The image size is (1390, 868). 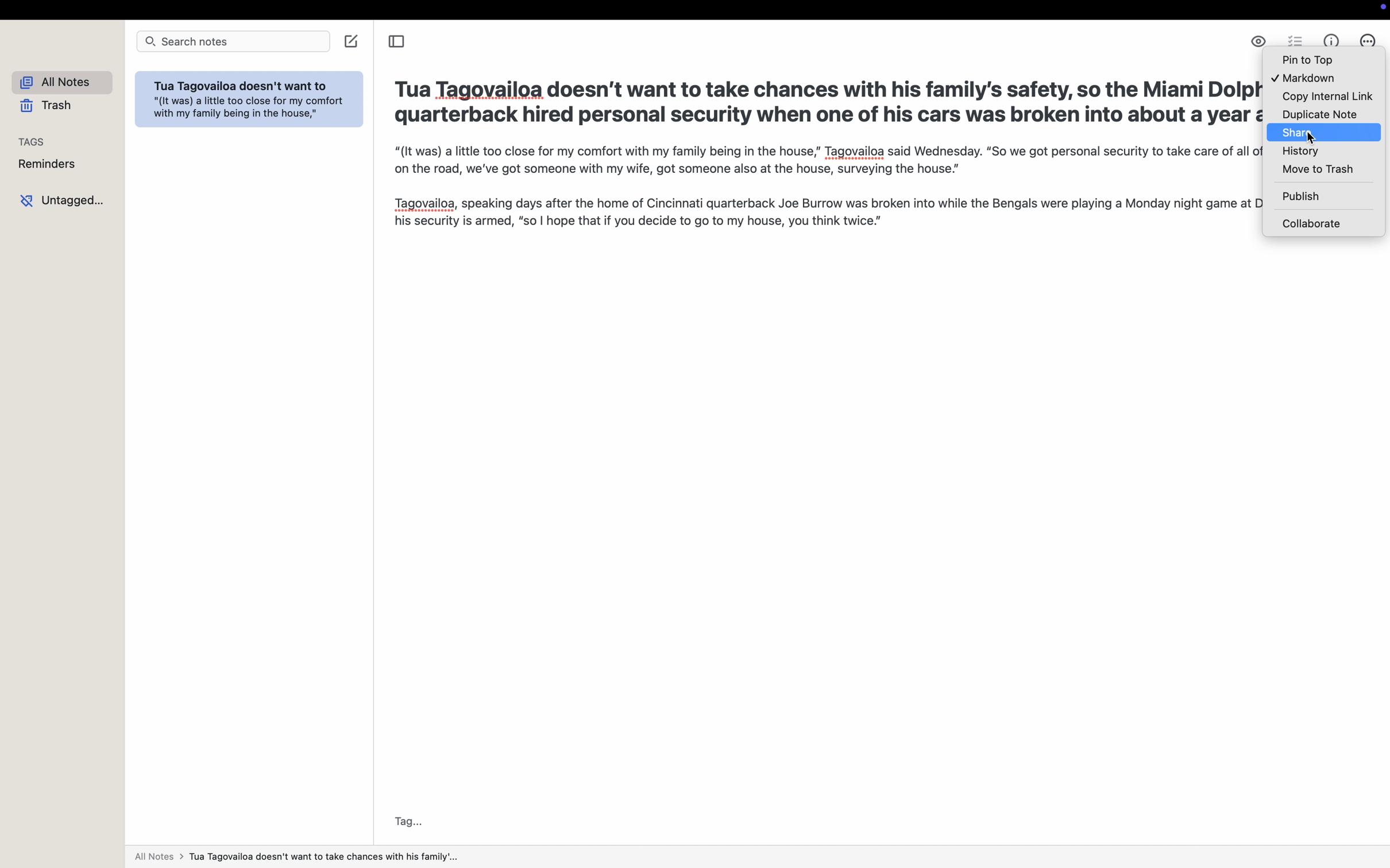 What do you see at coordinates (1304, 196) in the screenshot?
I see `publish` at bounding box center [1304, 196].